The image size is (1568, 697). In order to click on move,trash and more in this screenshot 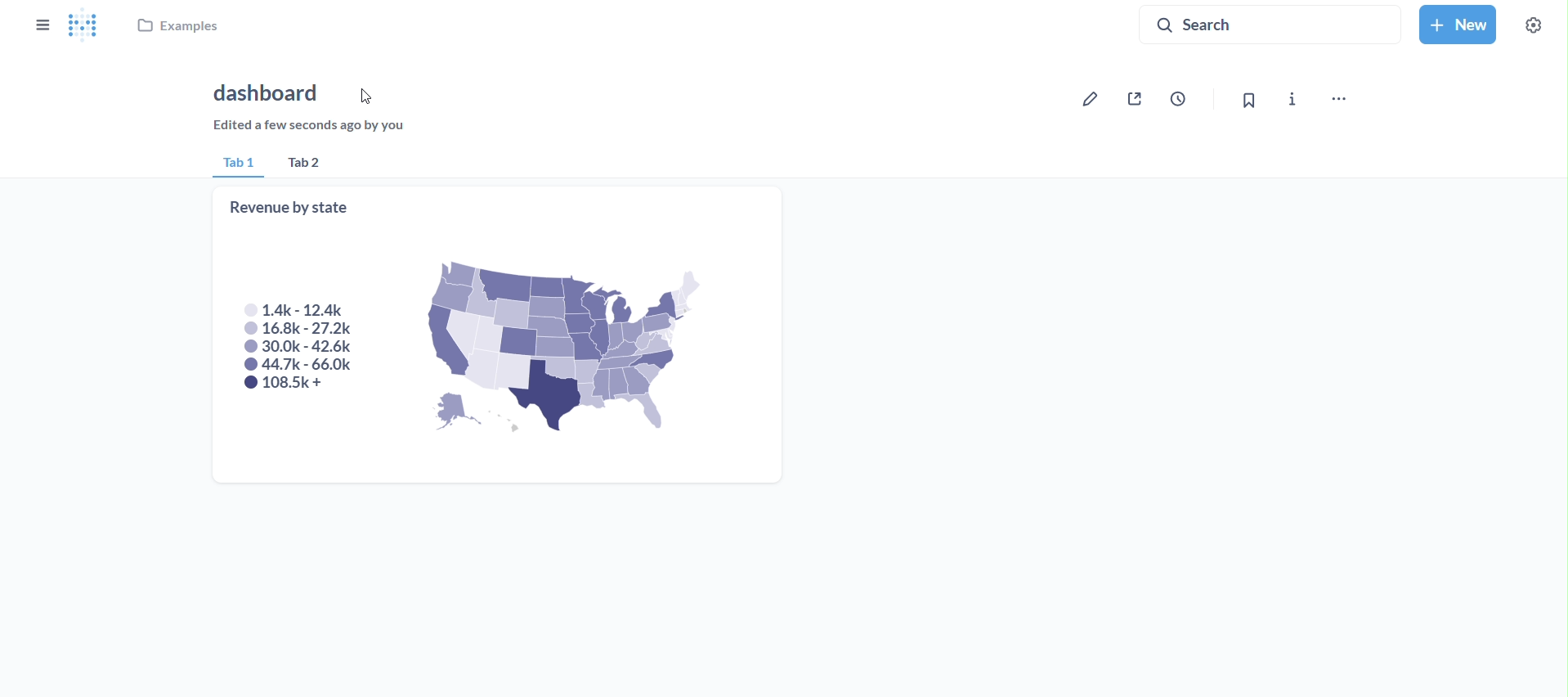, I will do `click(1338, 101)`.